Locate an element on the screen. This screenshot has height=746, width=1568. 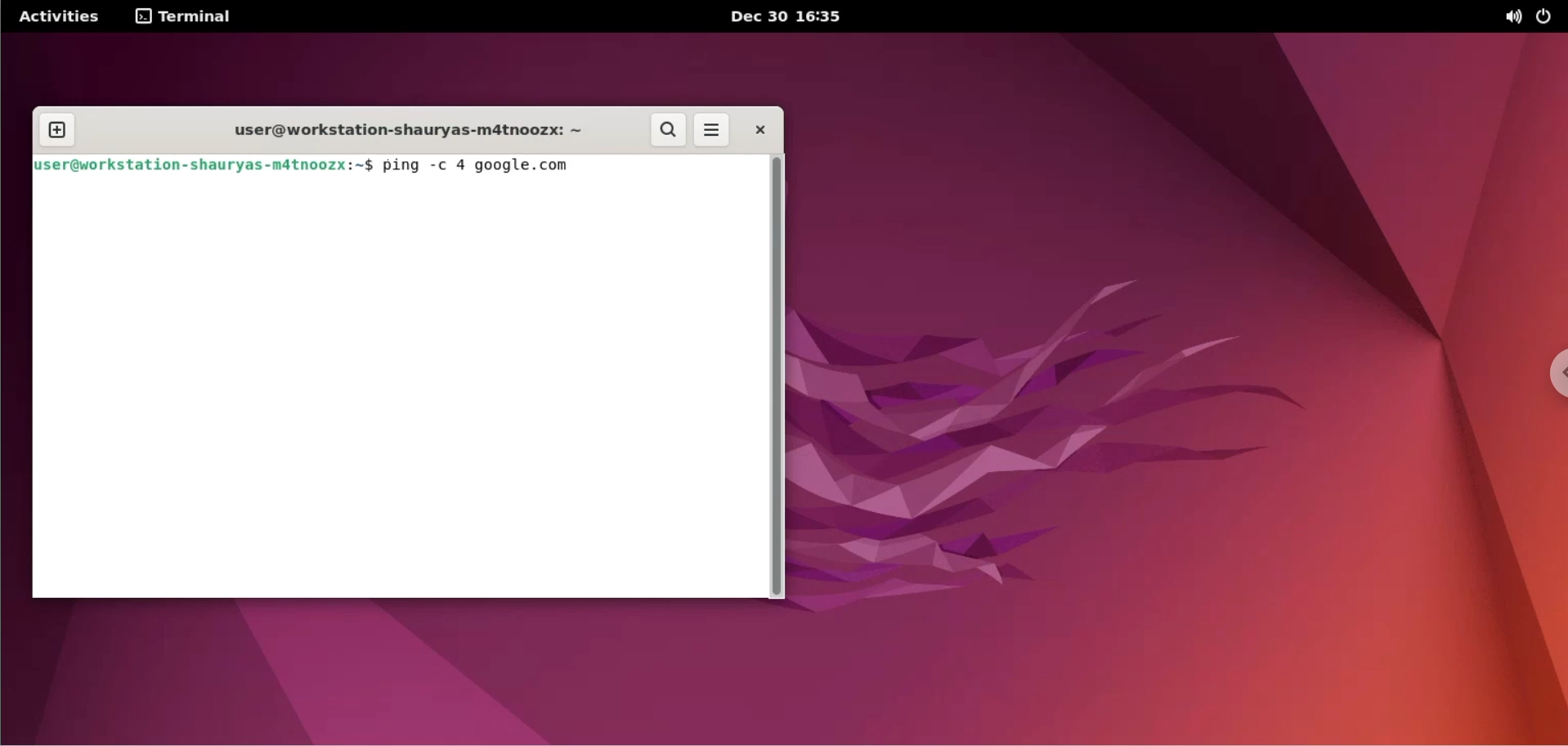
chrome options is located at coordinates (1550, 378).